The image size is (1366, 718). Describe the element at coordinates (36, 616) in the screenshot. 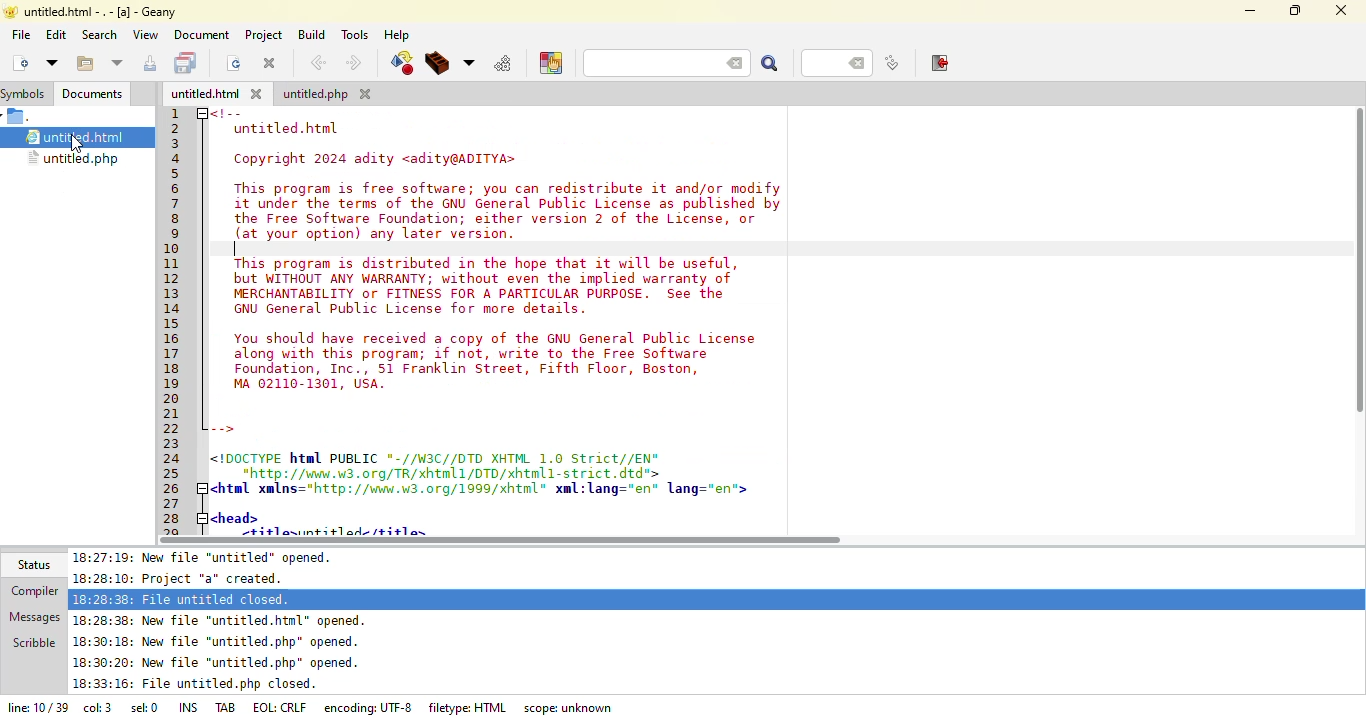

I see `messages` at that location.